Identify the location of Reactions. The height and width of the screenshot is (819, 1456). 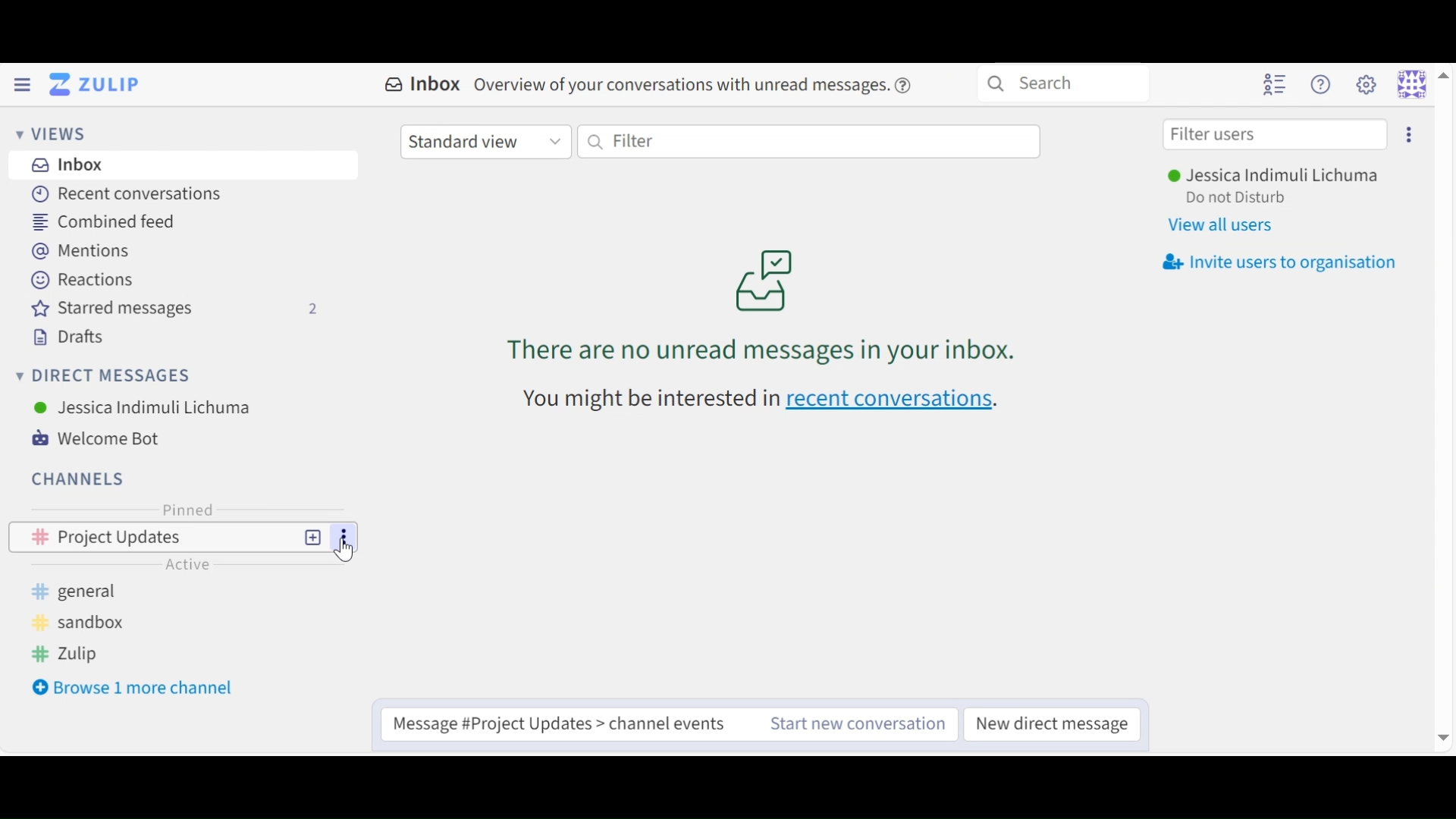
(85, 281).